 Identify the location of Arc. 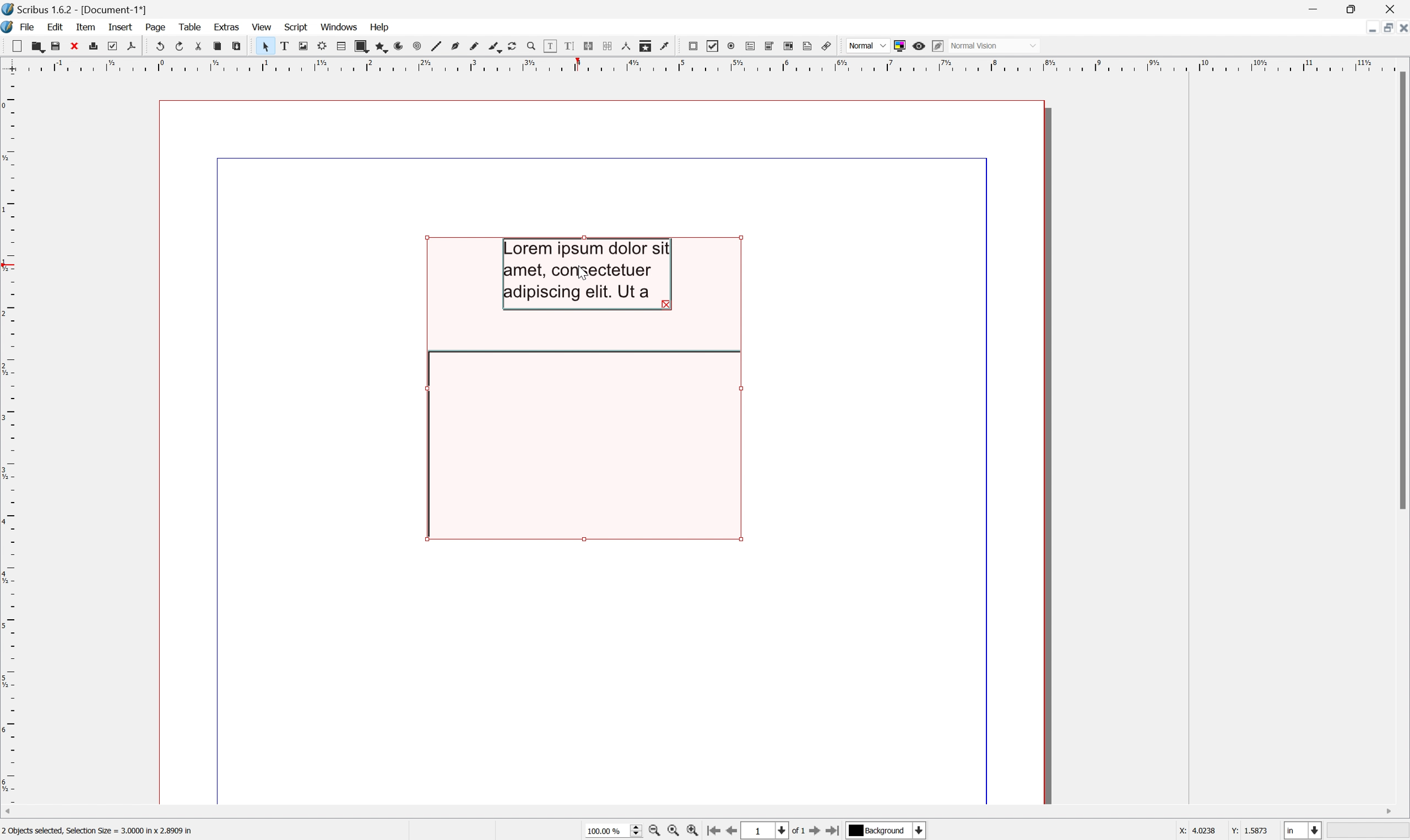
(399, 46).